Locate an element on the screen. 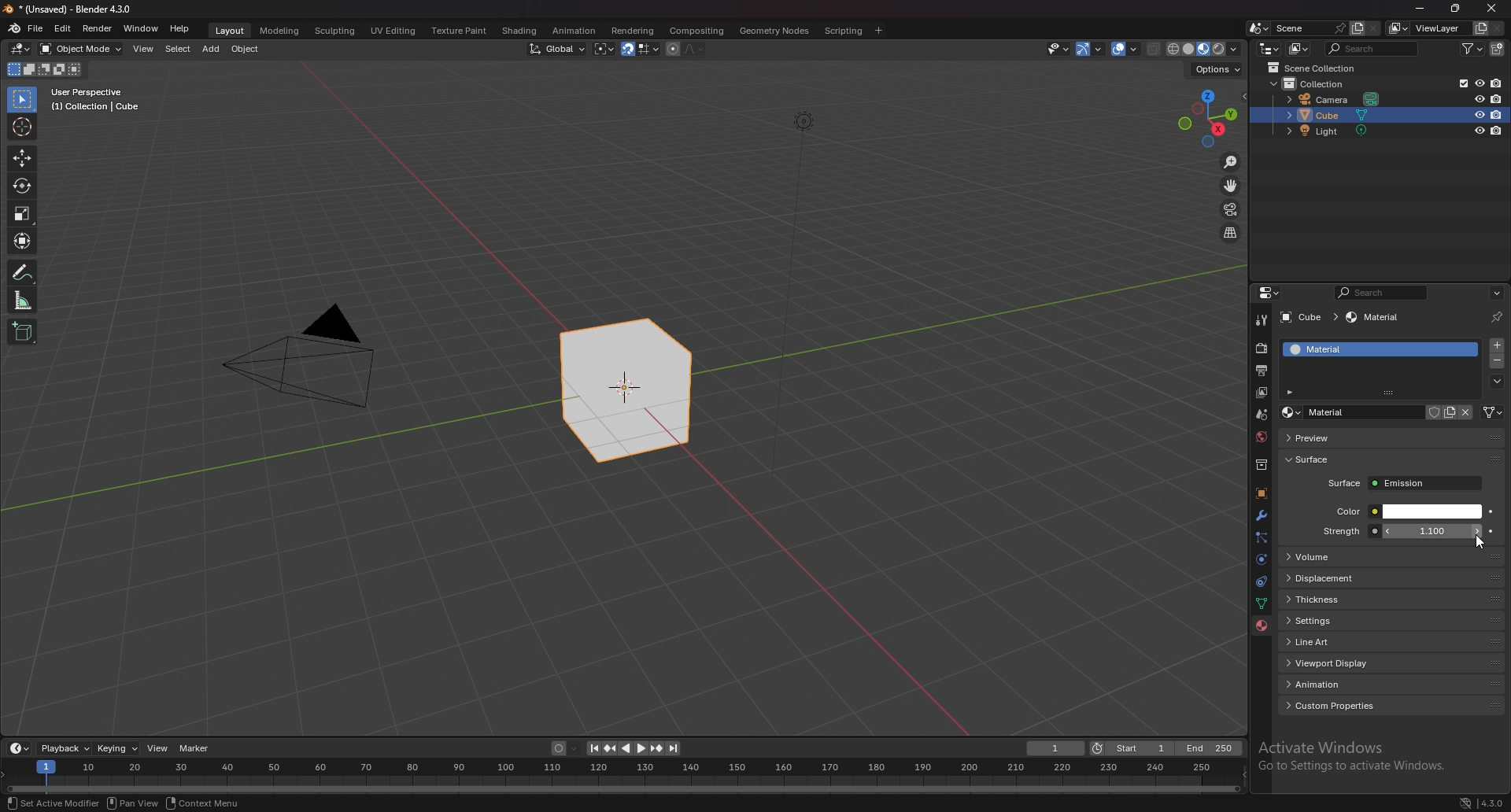  material is located at coordinates (1262, 626).